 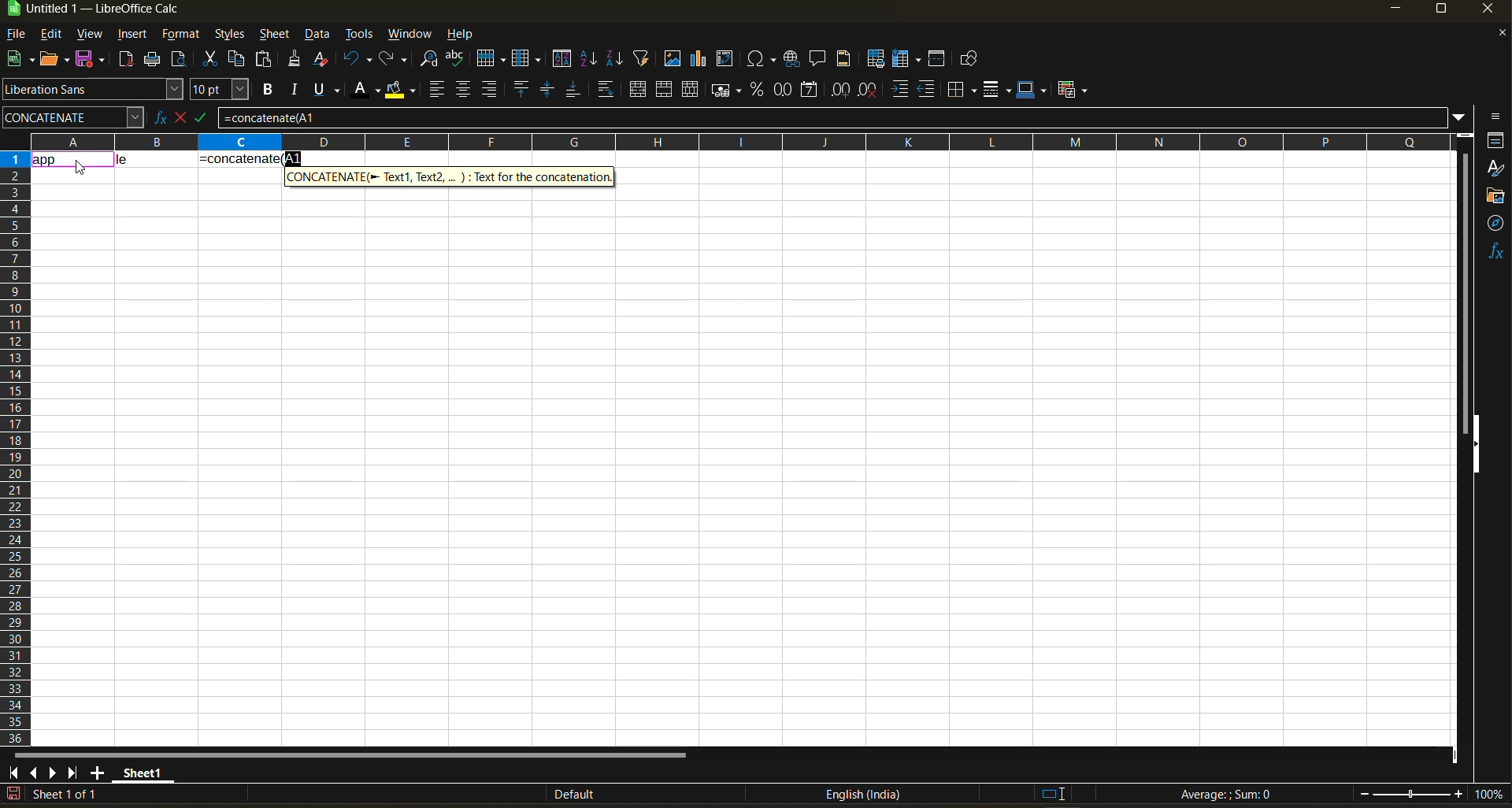 I want to click on horizontal scroll bar, so click(x=349, y=755).